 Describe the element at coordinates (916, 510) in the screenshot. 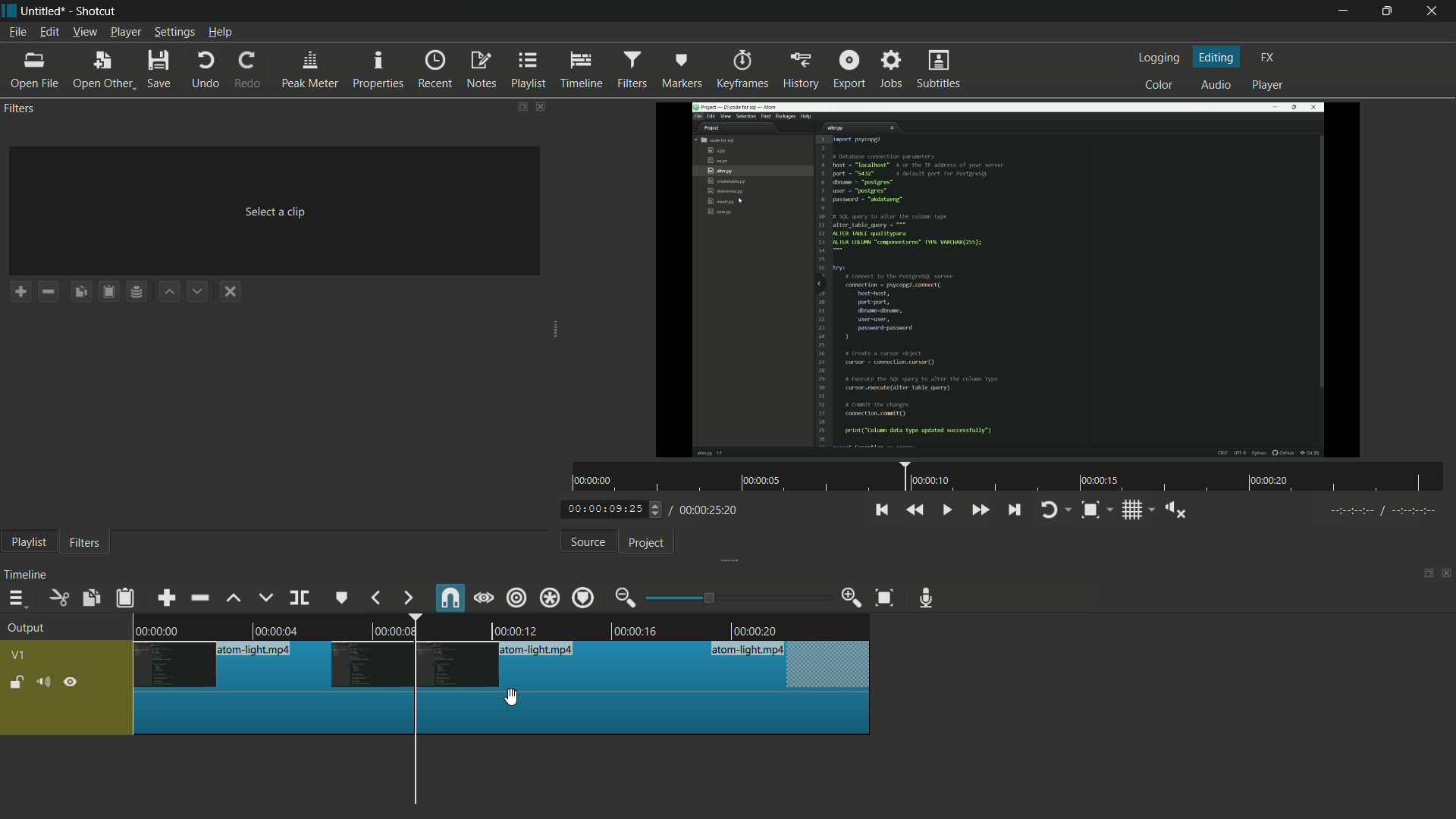

I see `quickly play backward` at that location.